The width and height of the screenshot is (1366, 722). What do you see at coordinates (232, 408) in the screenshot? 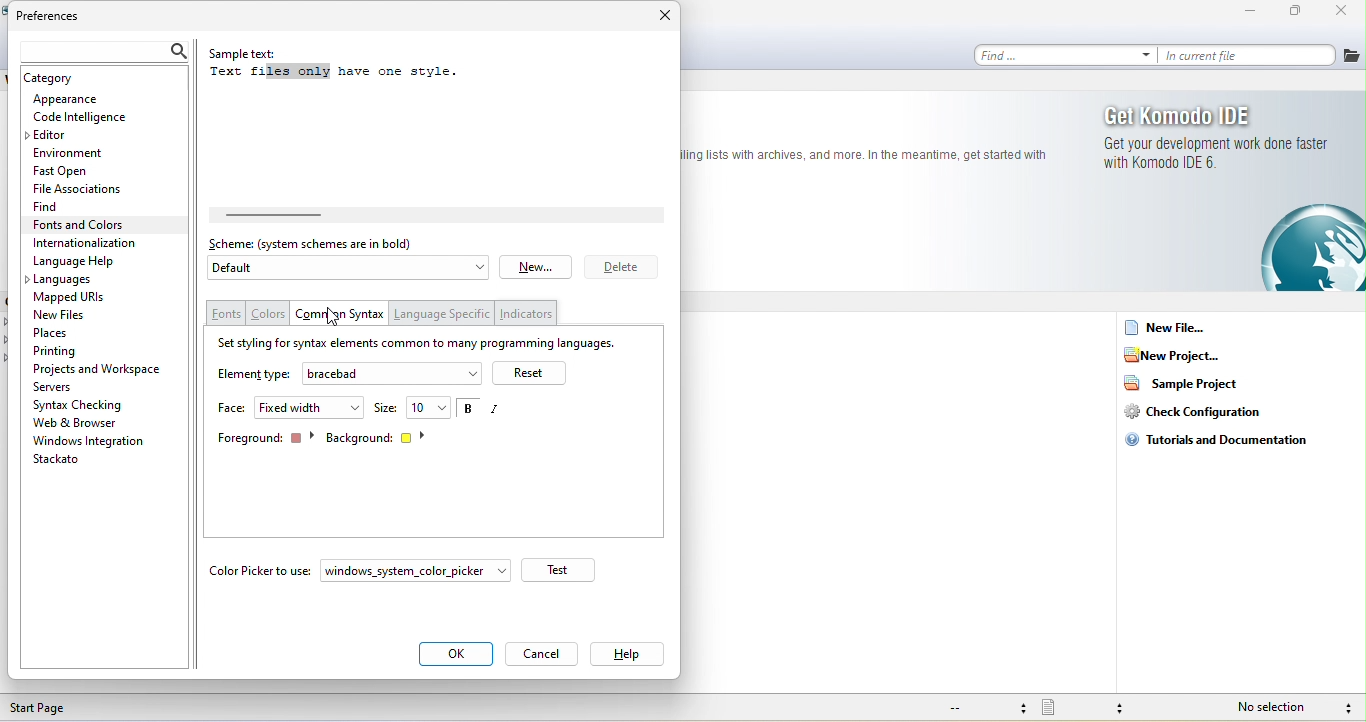
I see `face` at bounding box center [232, 408].